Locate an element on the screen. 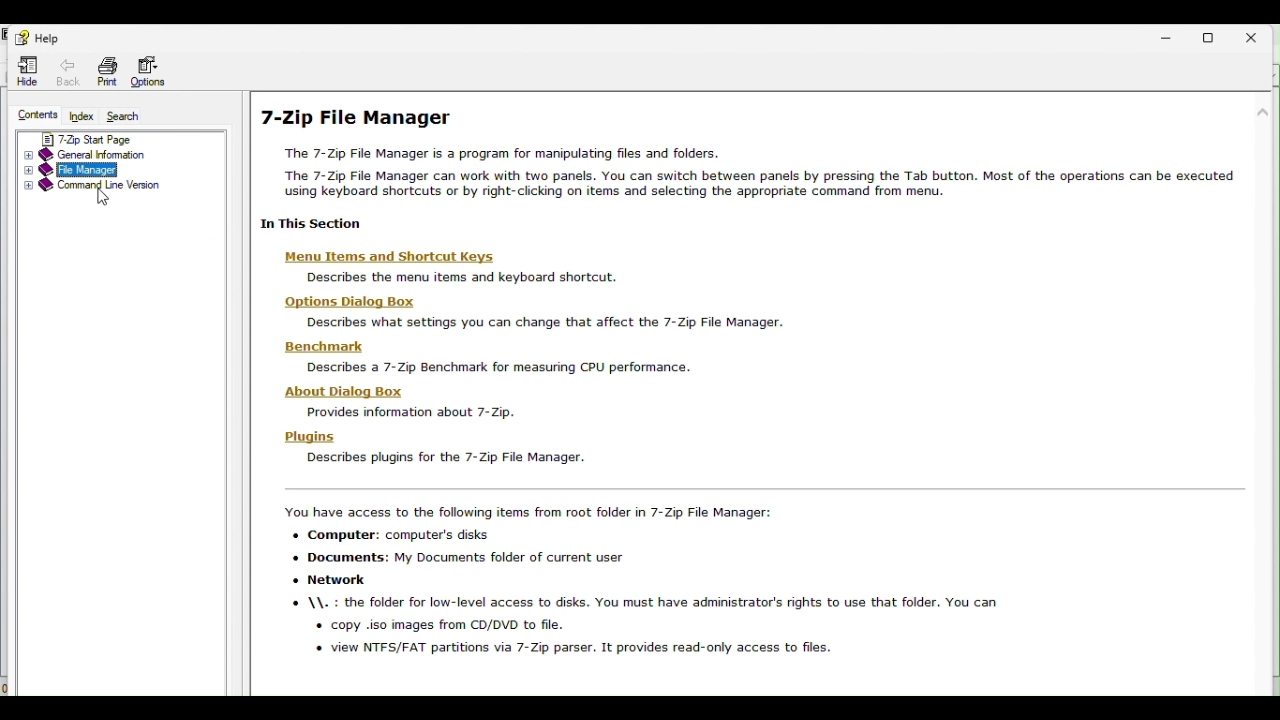  Hide is located at coordinates (30, 70).